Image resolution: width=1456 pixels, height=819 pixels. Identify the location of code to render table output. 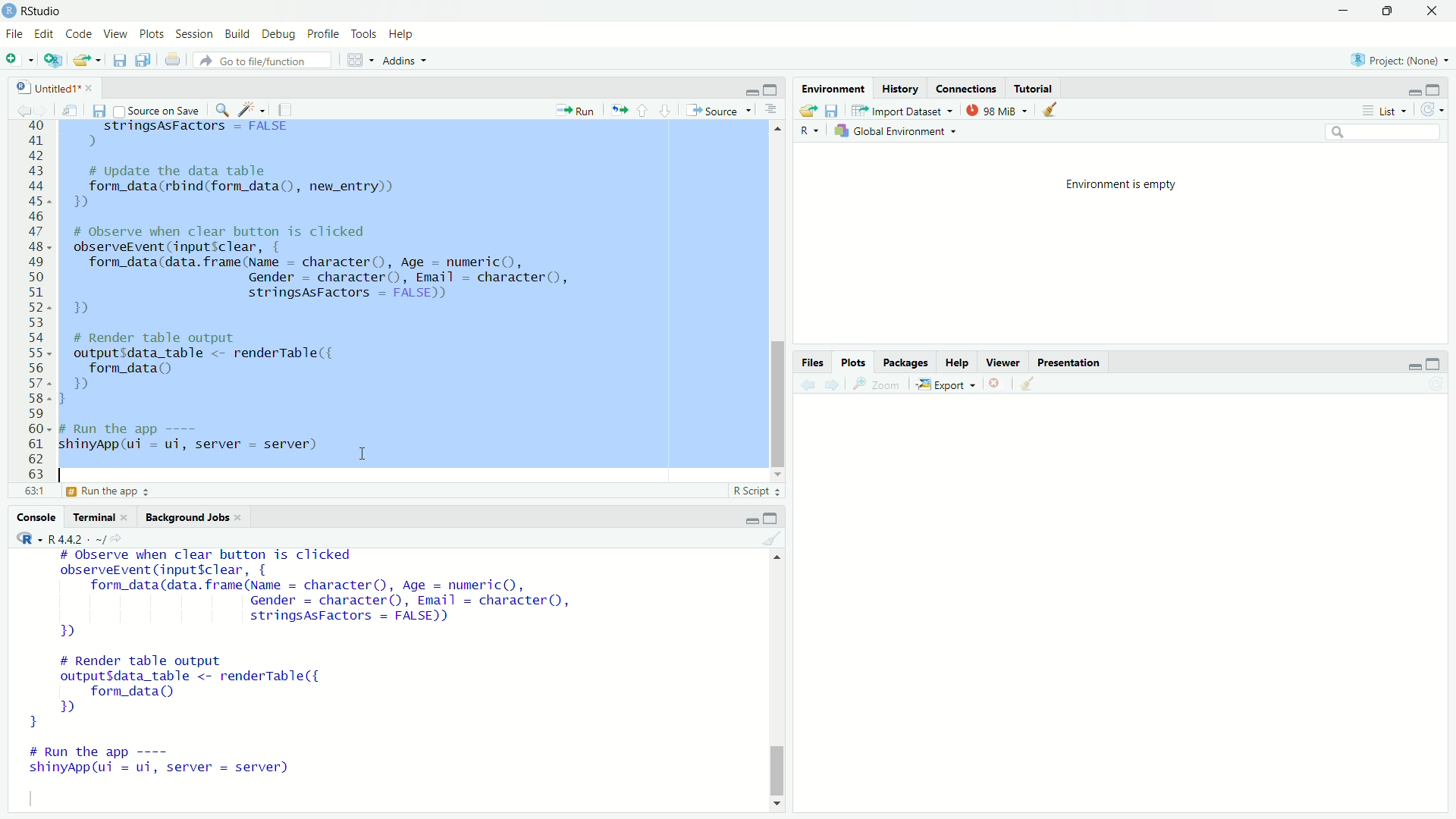
(229, 367).